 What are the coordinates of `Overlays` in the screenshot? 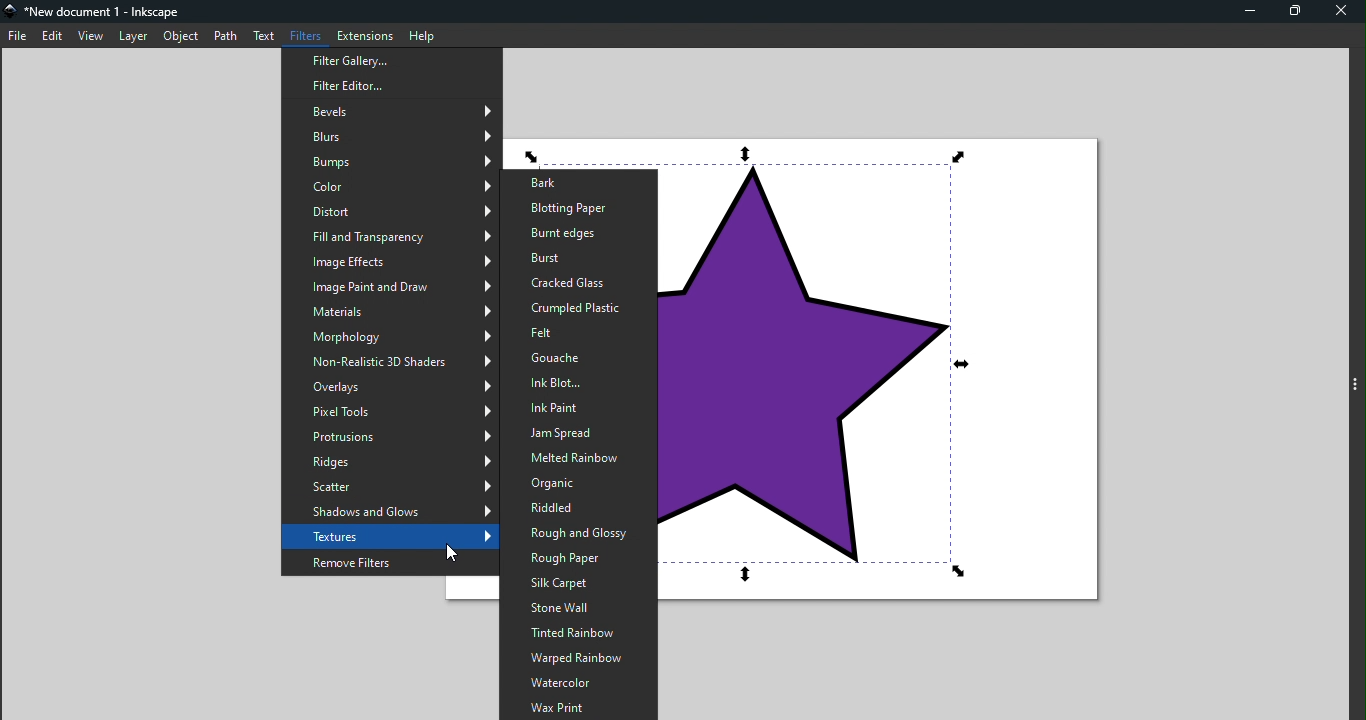 It's located at (390, 389).